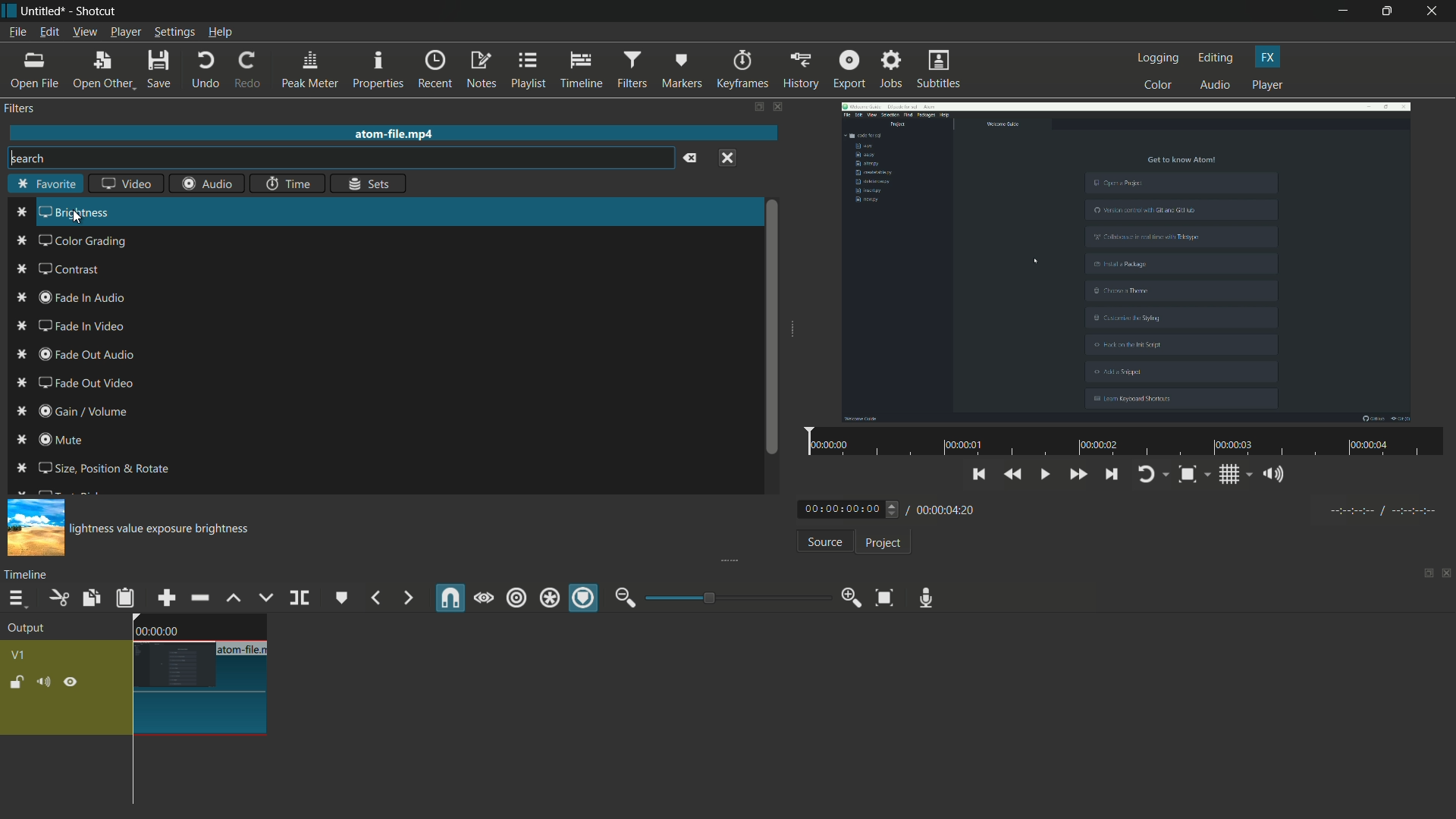  I want to click on settings menu, so click(175, 33).